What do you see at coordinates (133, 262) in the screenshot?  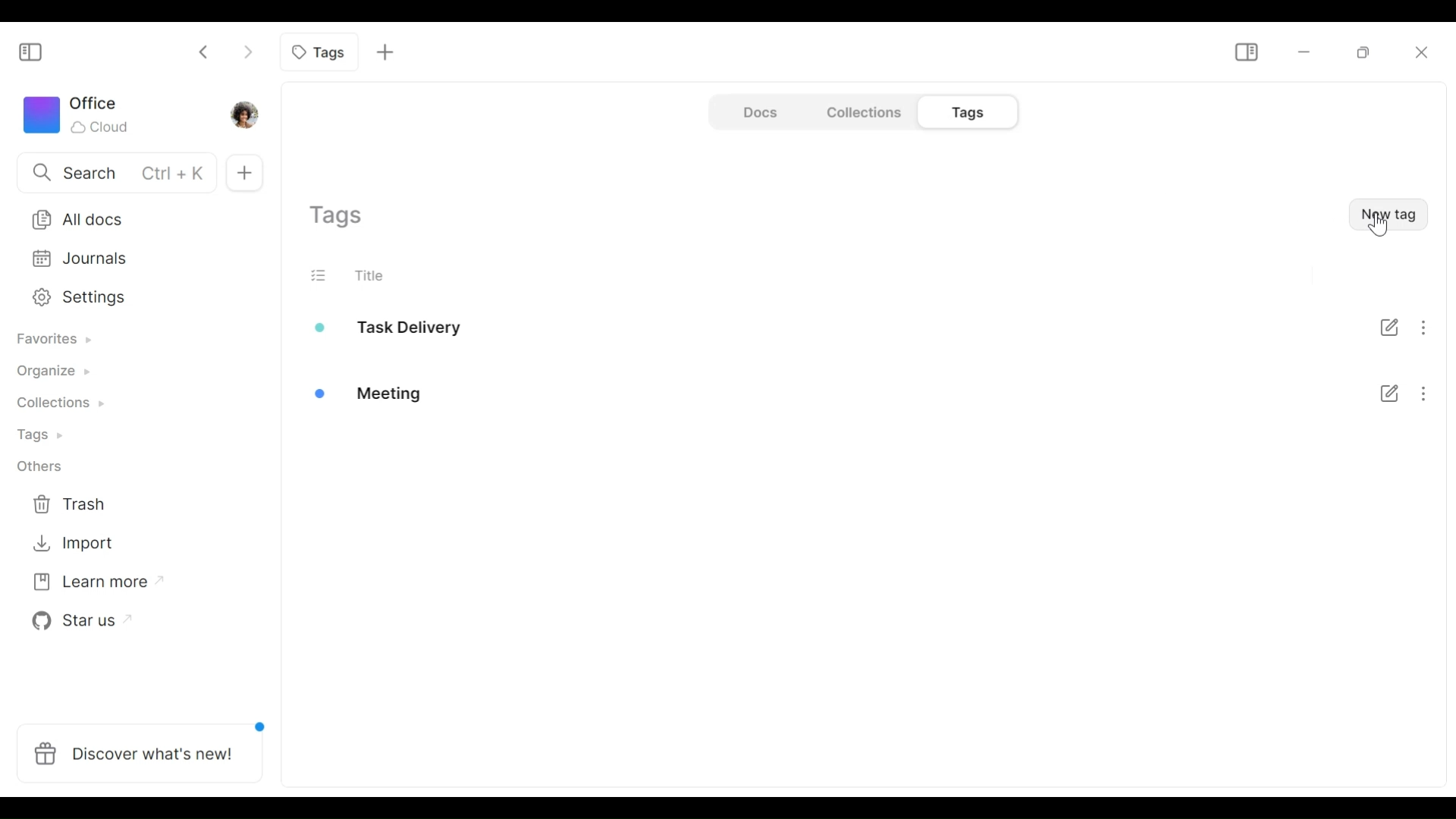 I see `Journal` at bounding box center [133, 262].